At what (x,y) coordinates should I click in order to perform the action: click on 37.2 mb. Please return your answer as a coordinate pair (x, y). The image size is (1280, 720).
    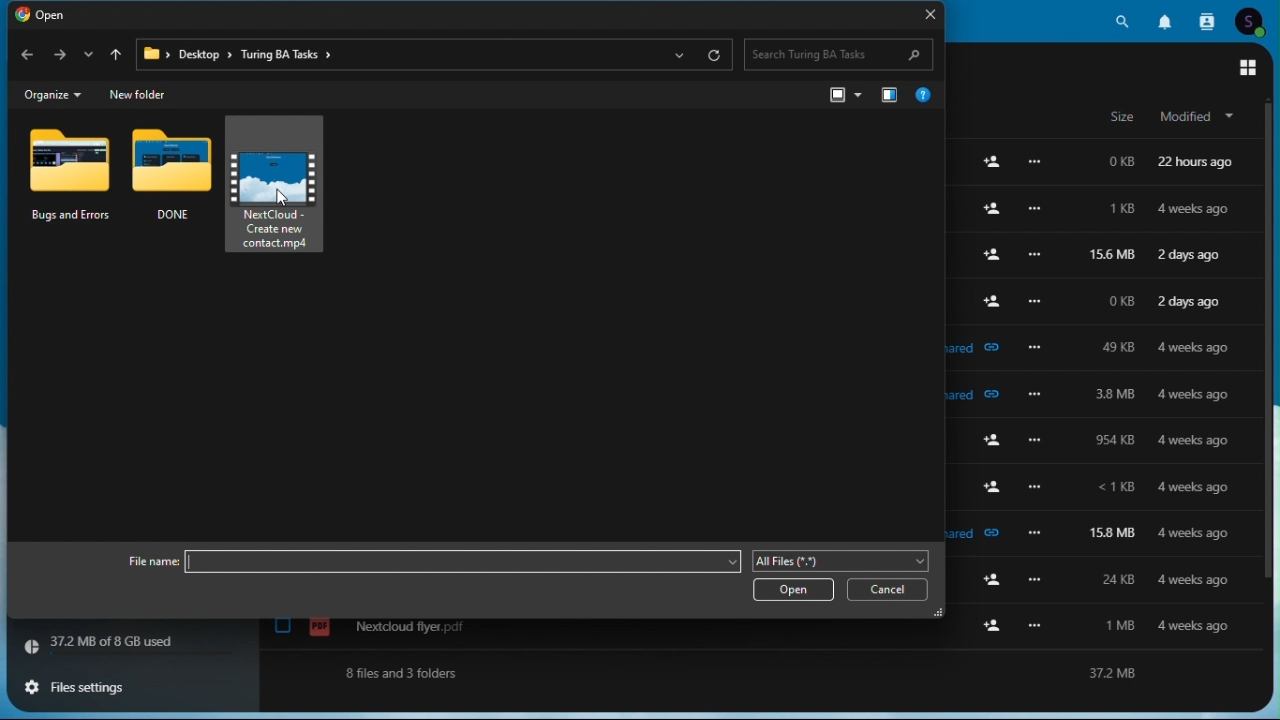
    Looking at the image, I should click on (1128, 675).